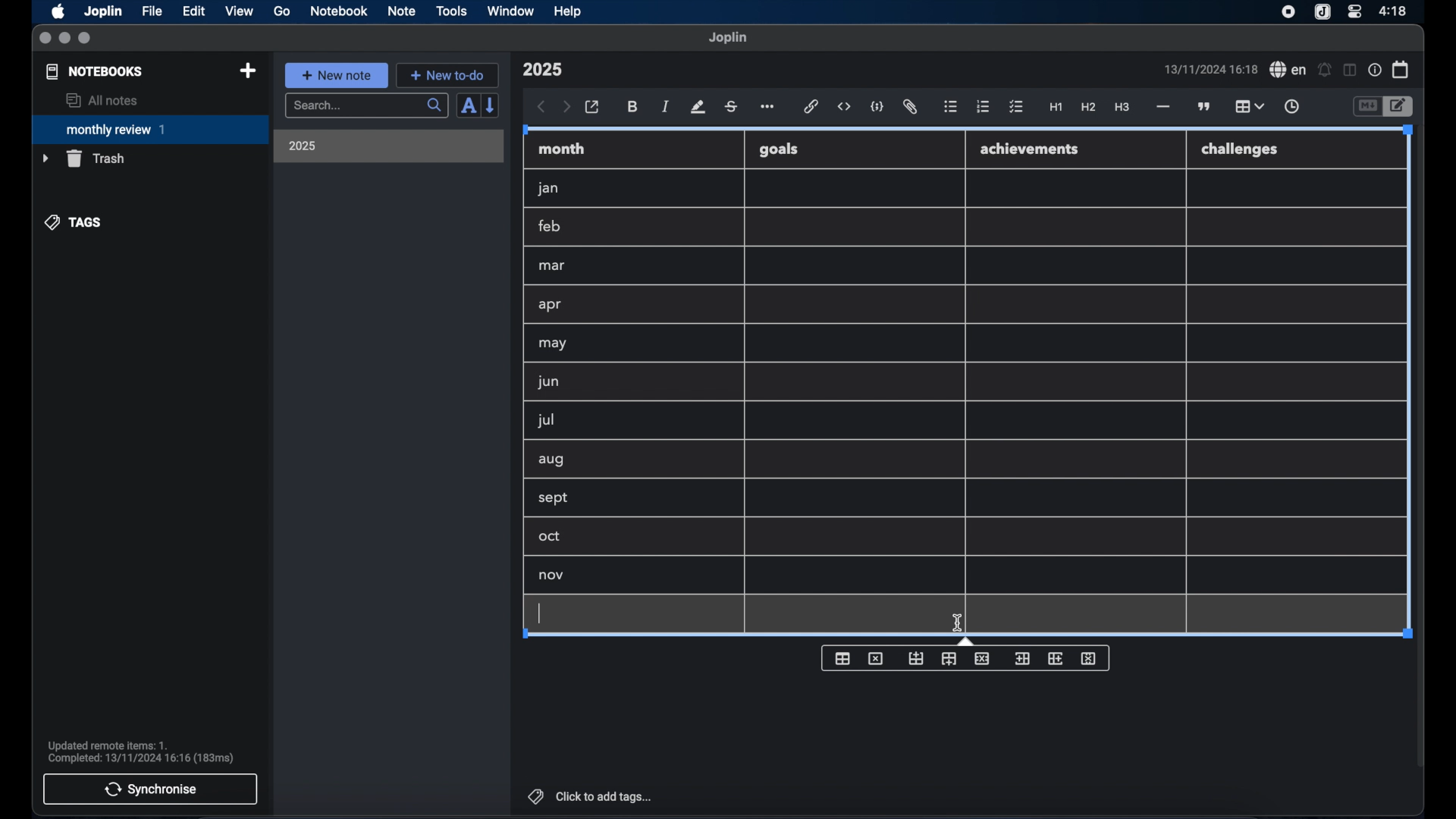 This screenshot has height=819, width=1456. Describe the element at coordinates (1024, 657) in the screenshot. I see `insert column before` at that location.